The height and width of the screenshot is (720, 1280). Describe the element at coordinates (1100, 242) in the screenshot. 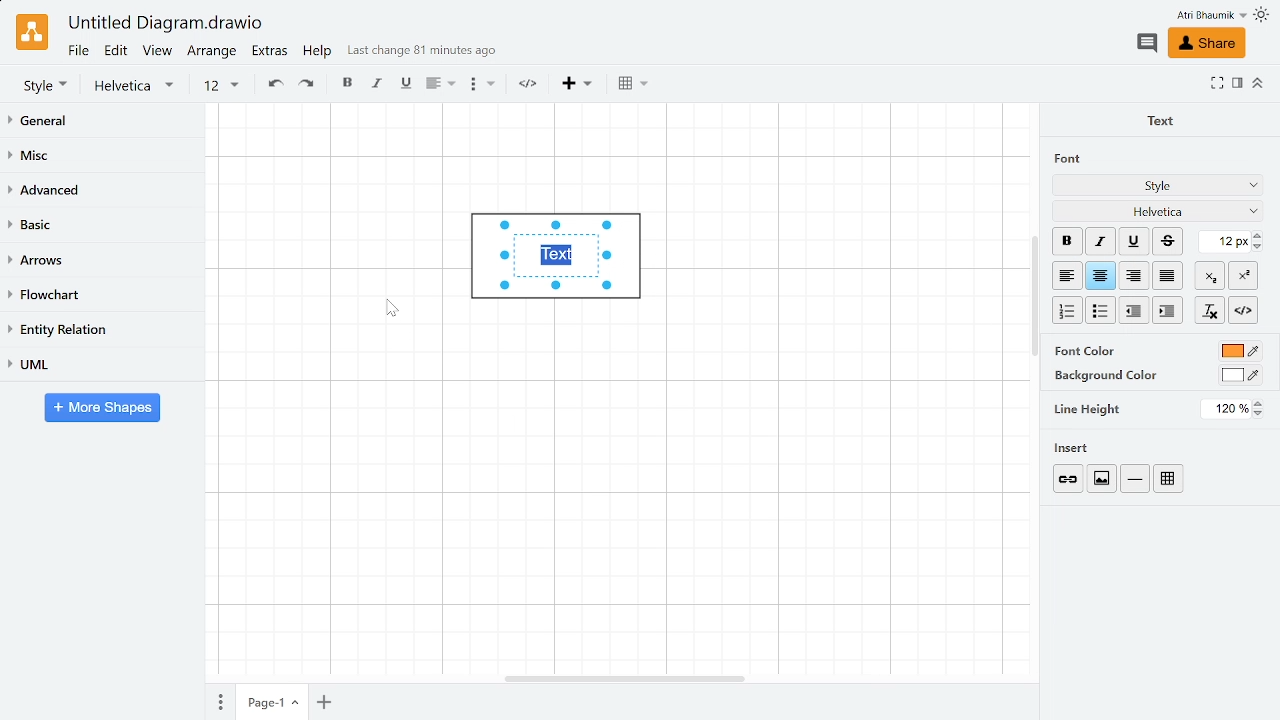

I see `Italic` at that location.